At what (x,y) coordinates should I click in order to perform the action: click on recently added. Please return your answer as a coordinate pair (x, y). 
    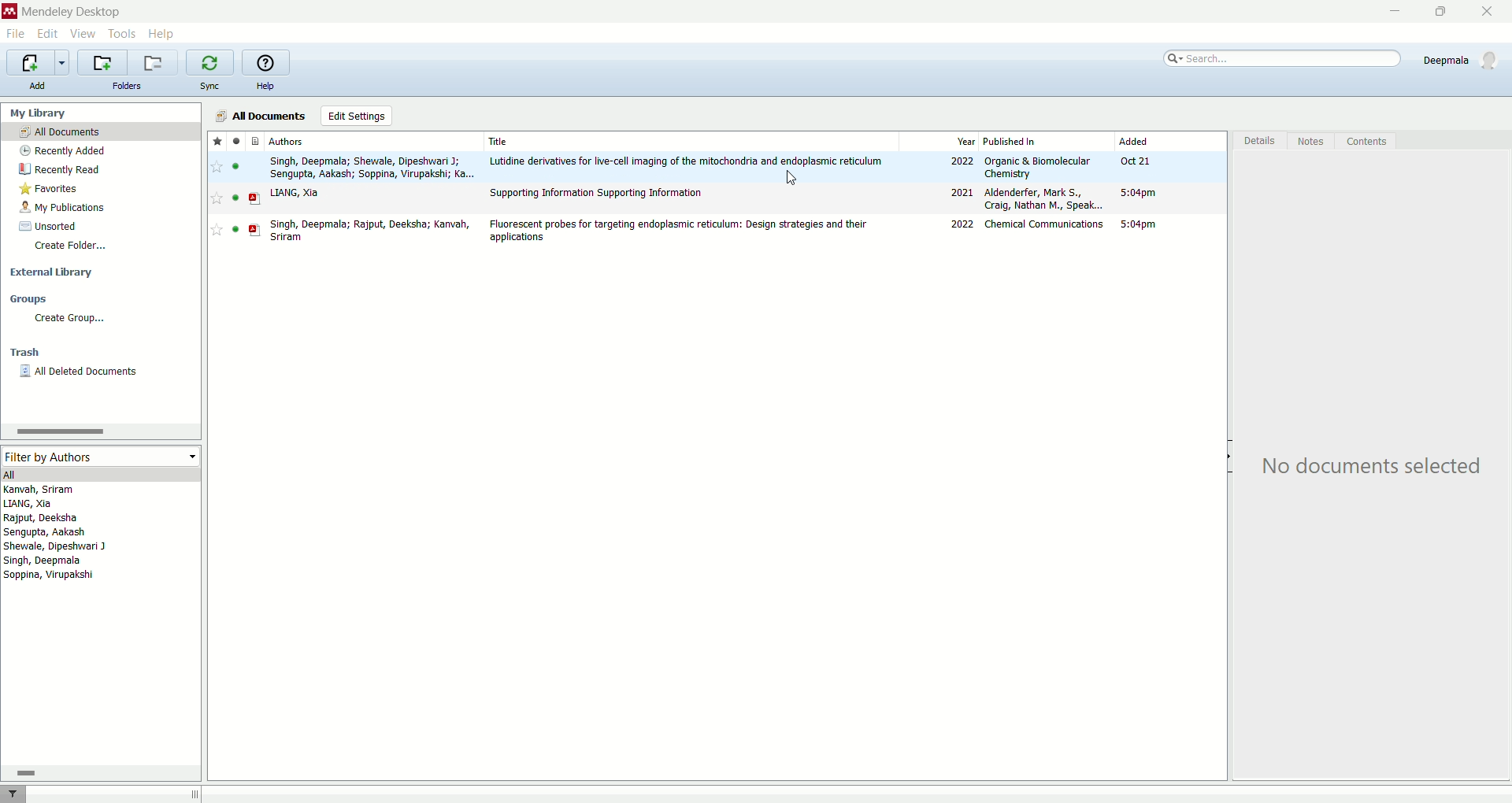
    Looking at the image, I should click on (61, 150).